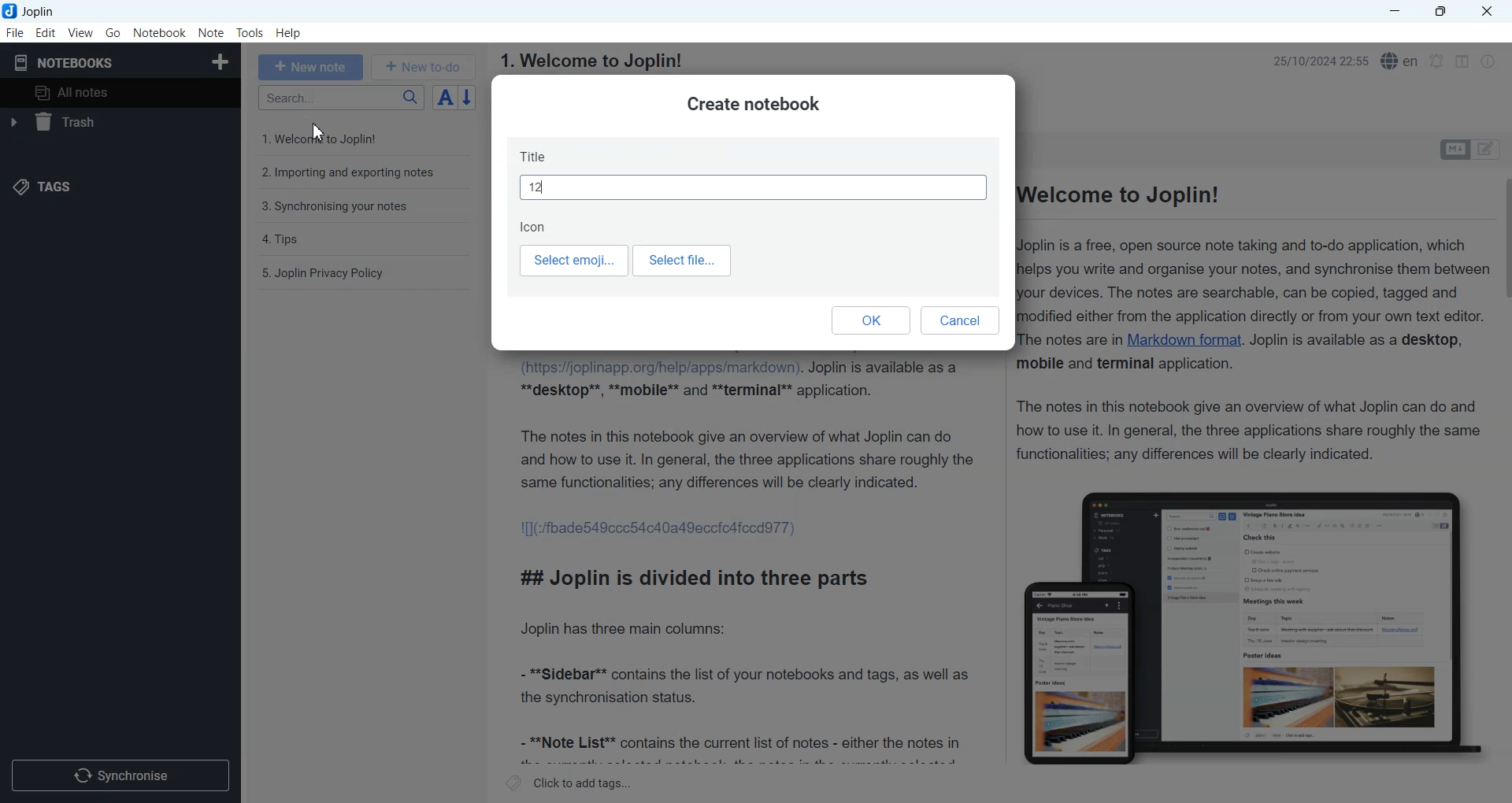 The height and width of the screenshot is (803, 1512). Describe the element at coordinates (210, 33) in the screenshot. I see `Note` at that location.